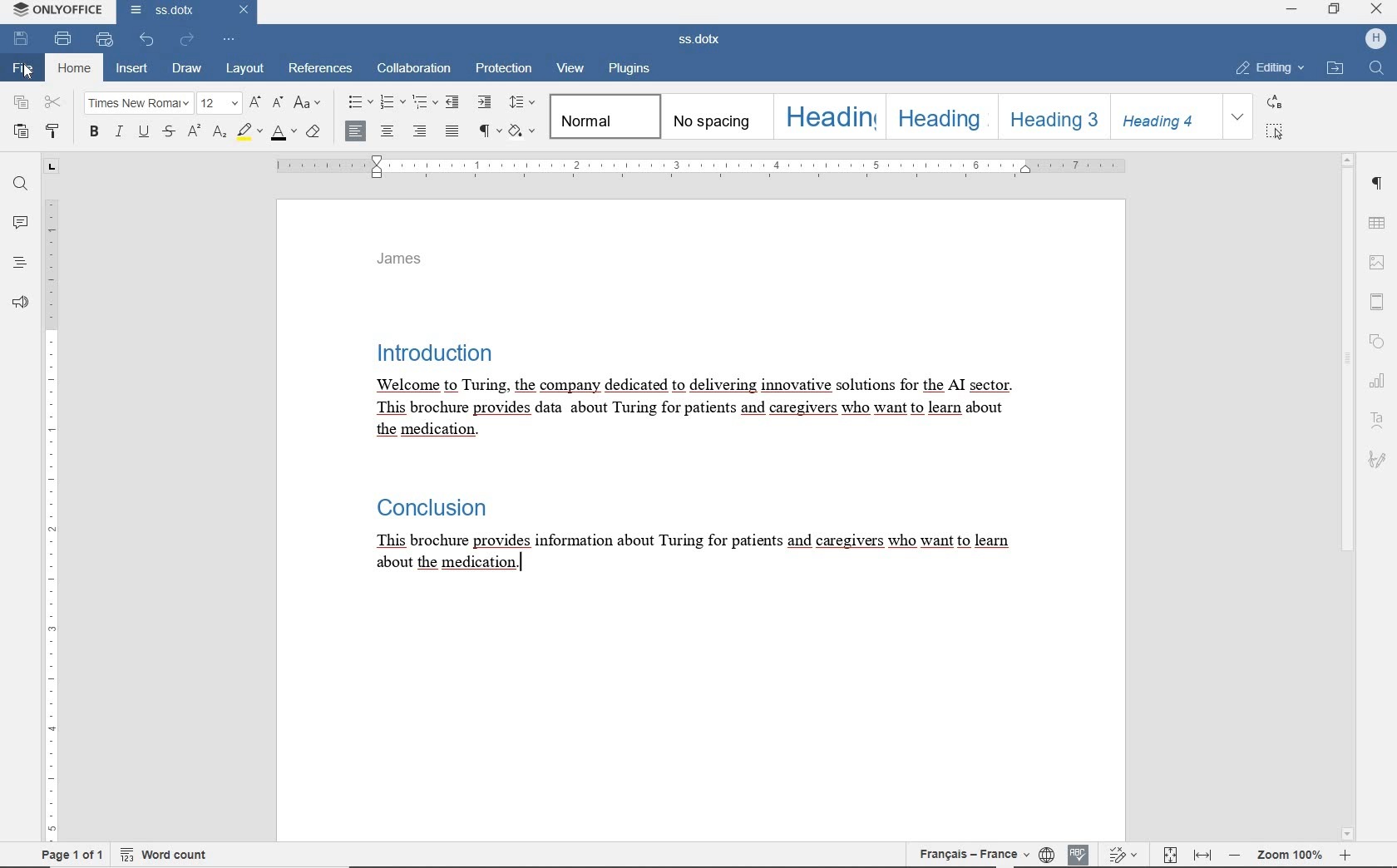 The image size is (1397, 868). I want to click on UNDO, so click(144, 40).